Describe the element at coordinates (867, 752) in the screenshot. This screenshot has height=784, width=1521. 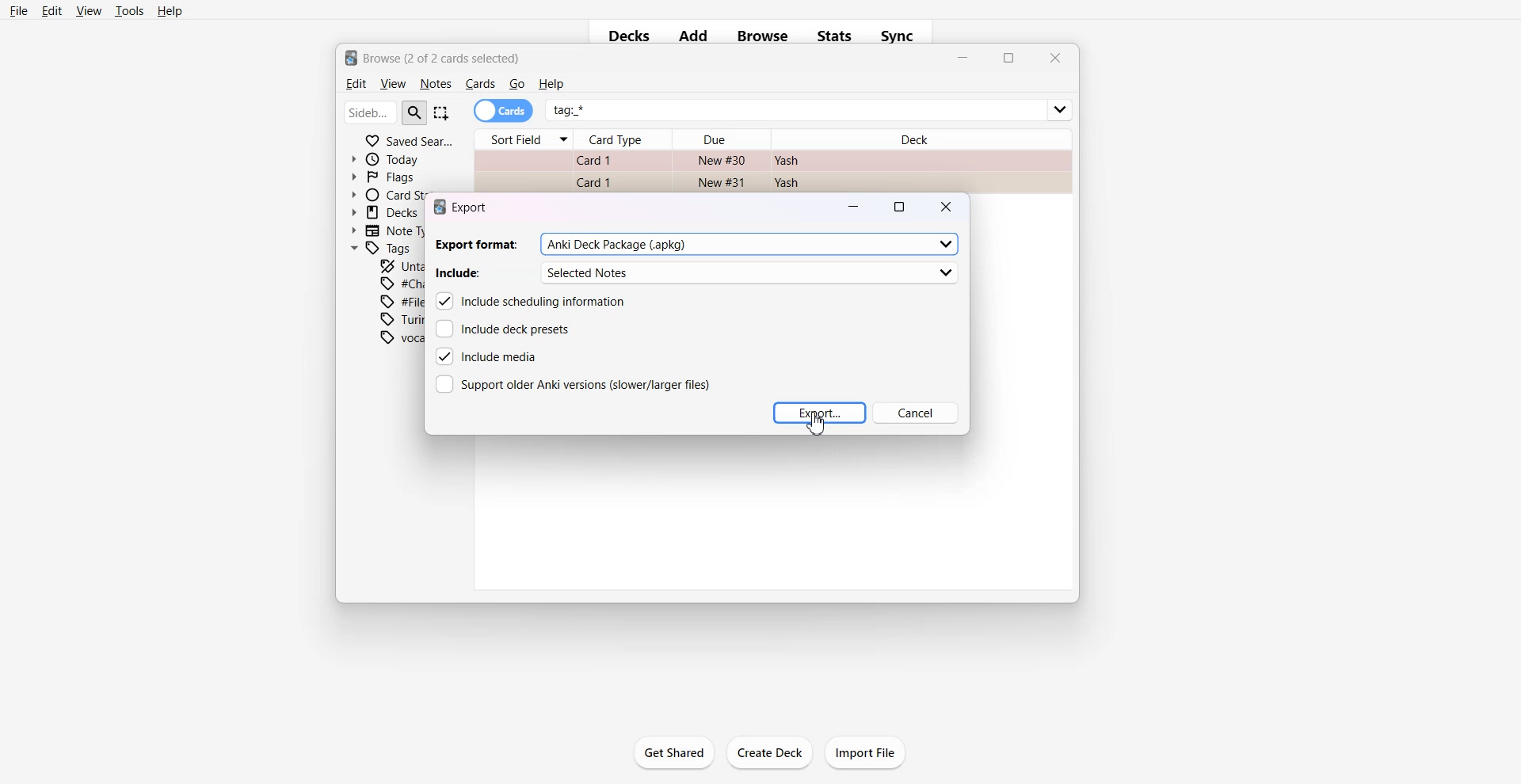
I see `Import File` at that location.